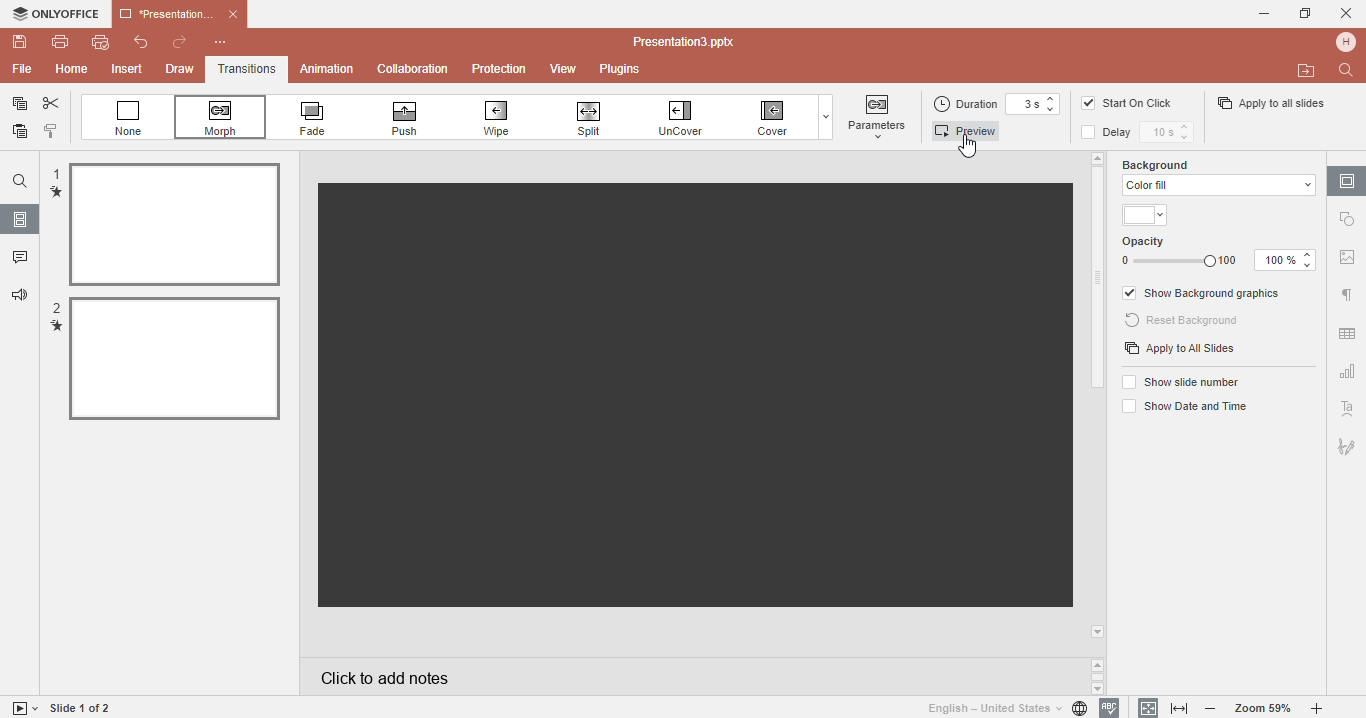 The width and height of the screenshot is (1366, 718). What do you see at coordinates (421, 118) in the screenshot?
I see `Push` at bounding box center [421, 118].